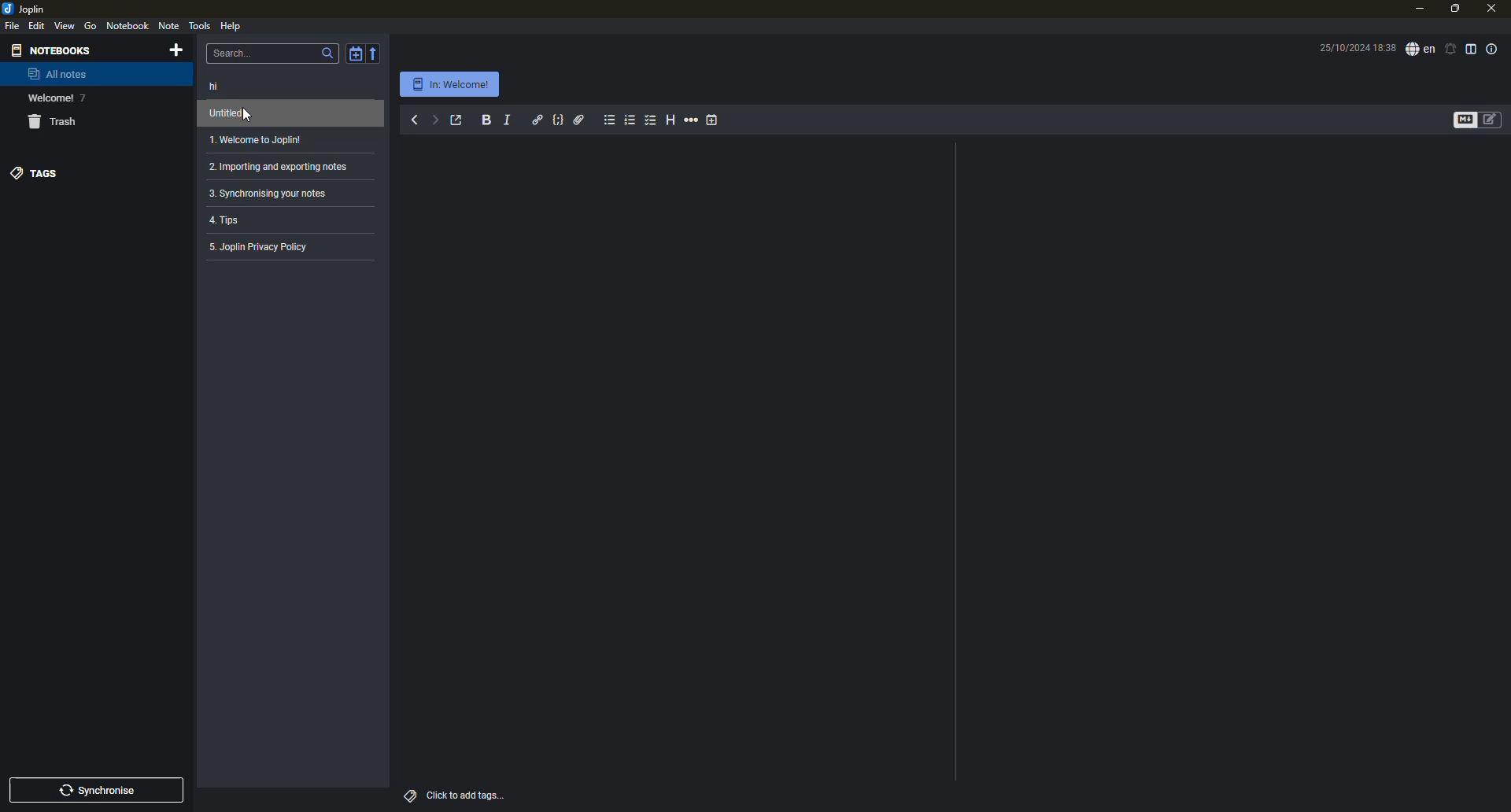 This screenshot has width=1511, height=812. Describe the element at coordinates (247, 115) in the screenshot. I see `cursor` at that location.